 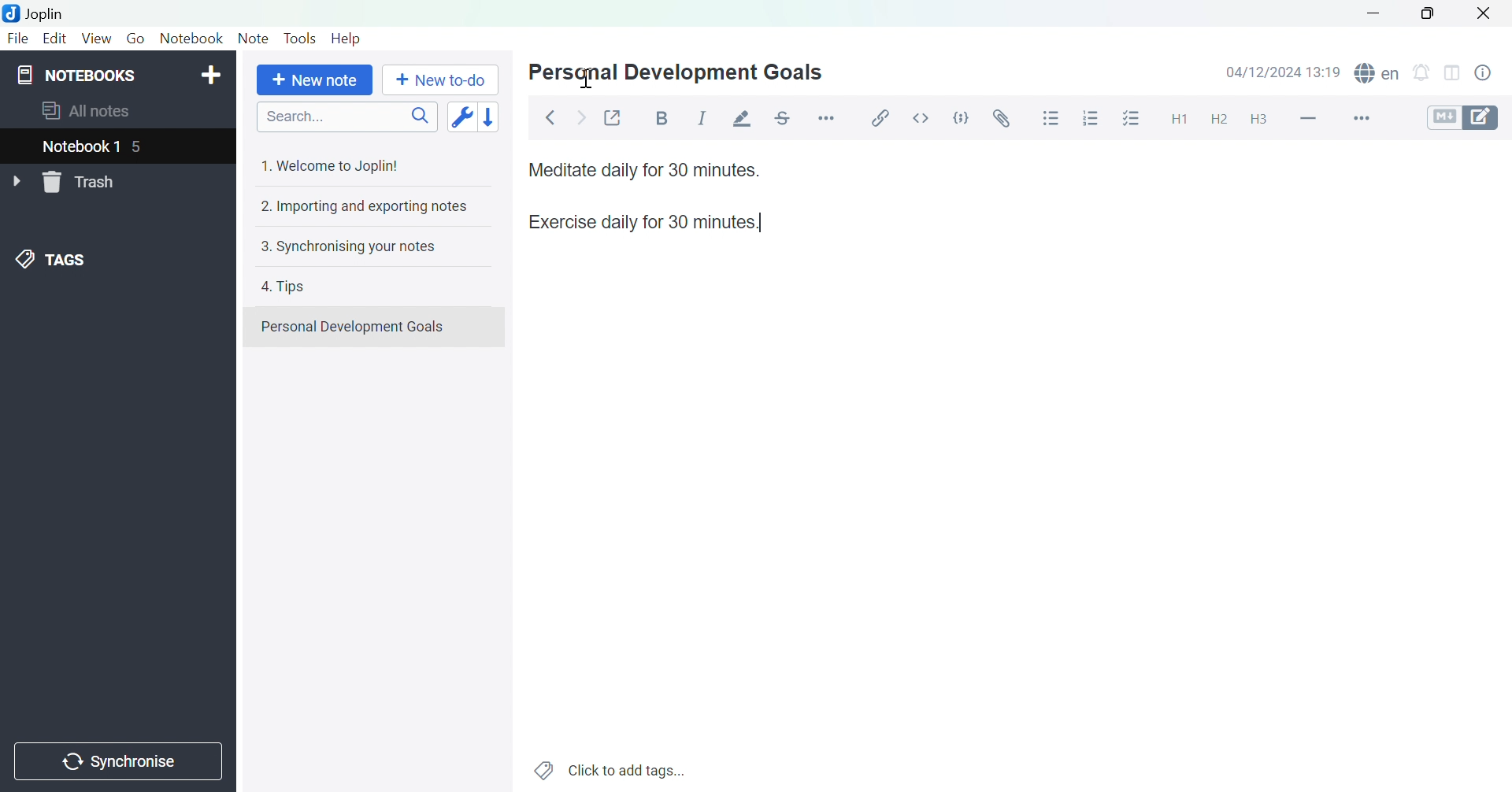 What do you see at coordinates (960, 116) in the screenshot?
I see `Code` at bounding box center [960, 116].